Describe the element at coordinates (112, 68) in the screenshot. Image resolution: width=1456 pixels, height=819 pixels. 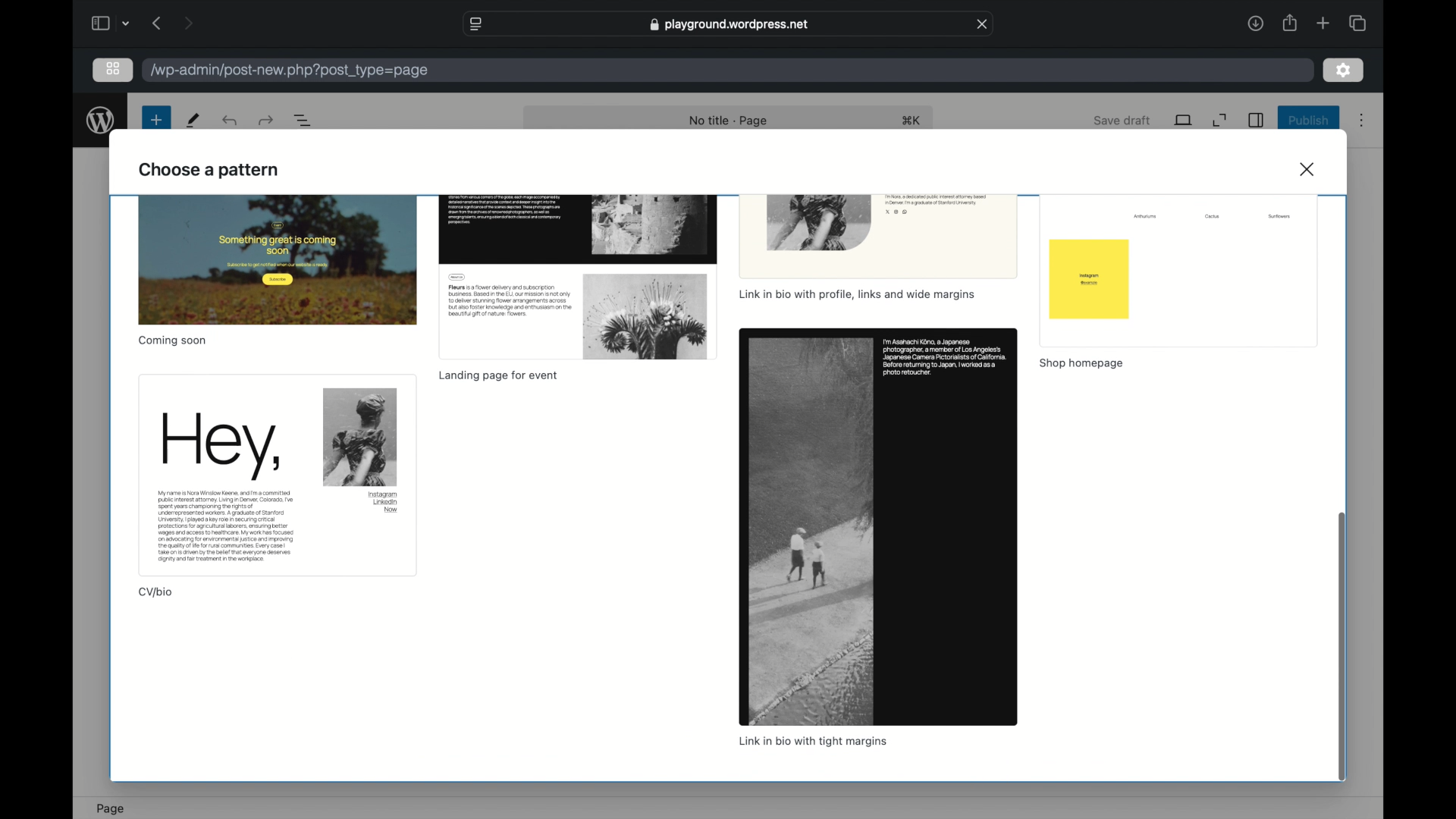
I see `grid` at that location.